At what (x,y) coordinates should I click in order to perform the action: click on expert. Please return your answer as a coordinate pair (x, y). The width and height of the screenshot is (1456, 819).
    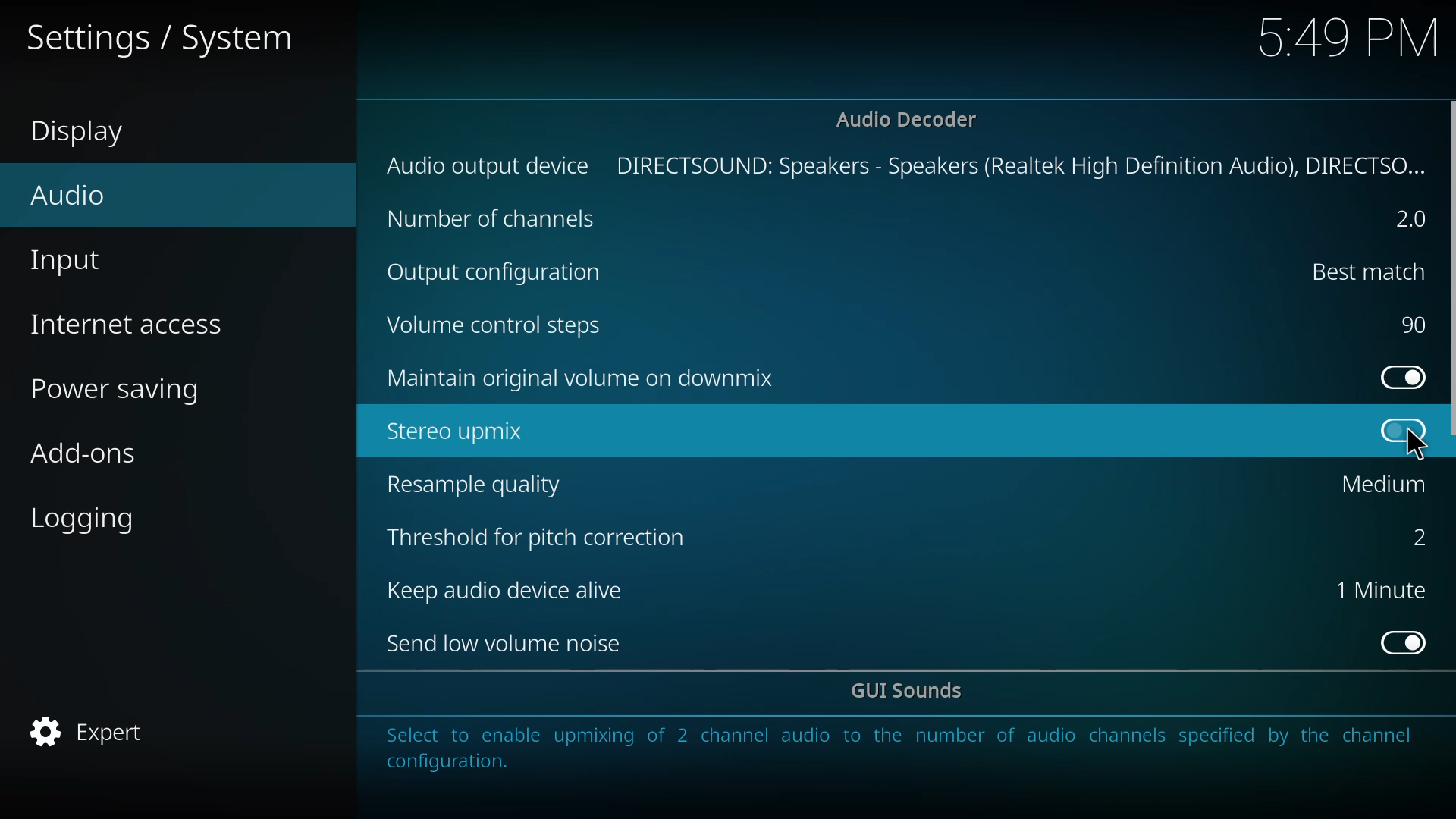
    Looking at the image, I should click on (94, 730).